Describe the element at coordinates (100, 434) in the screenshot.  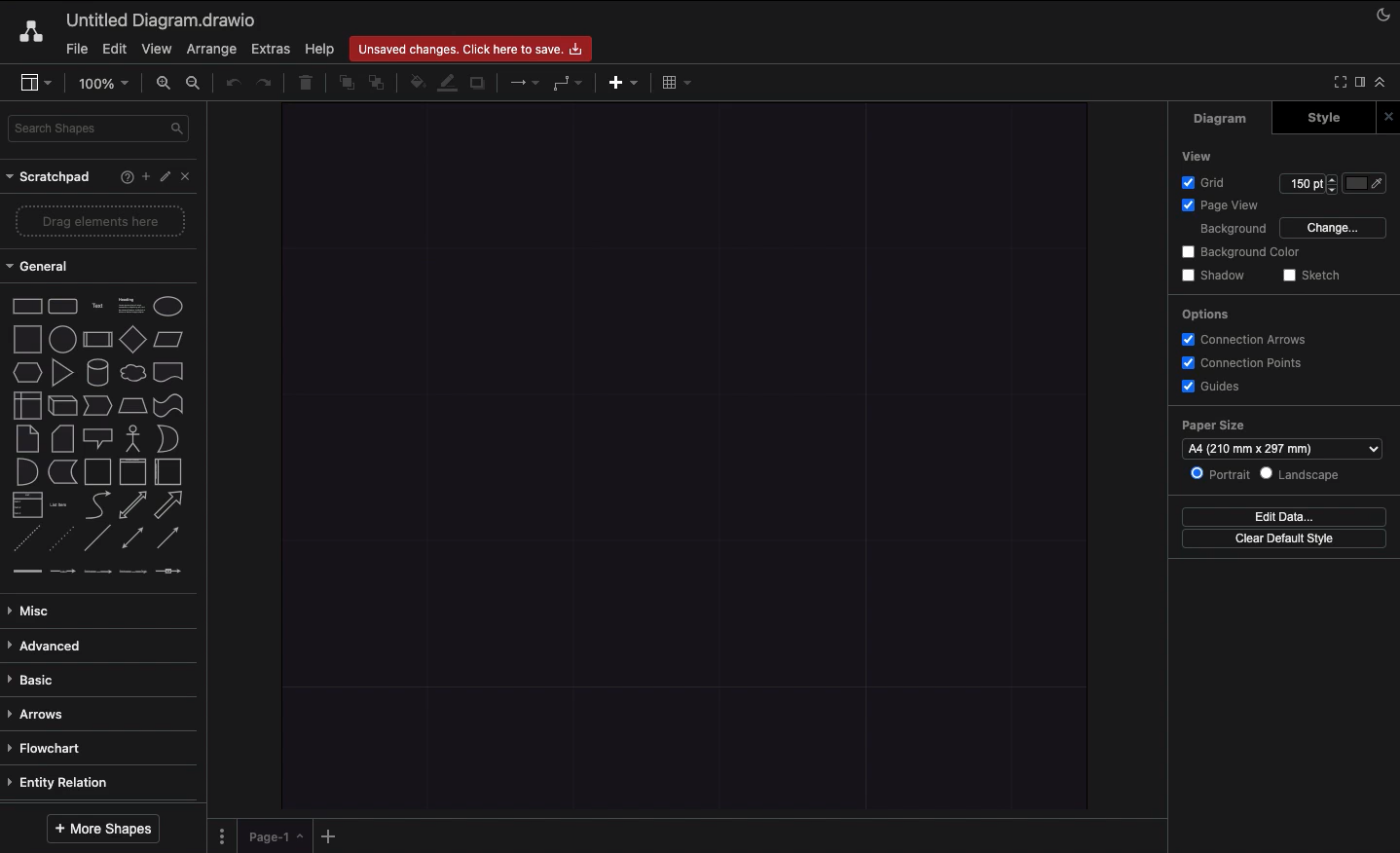
I see `Shapes` at that location.